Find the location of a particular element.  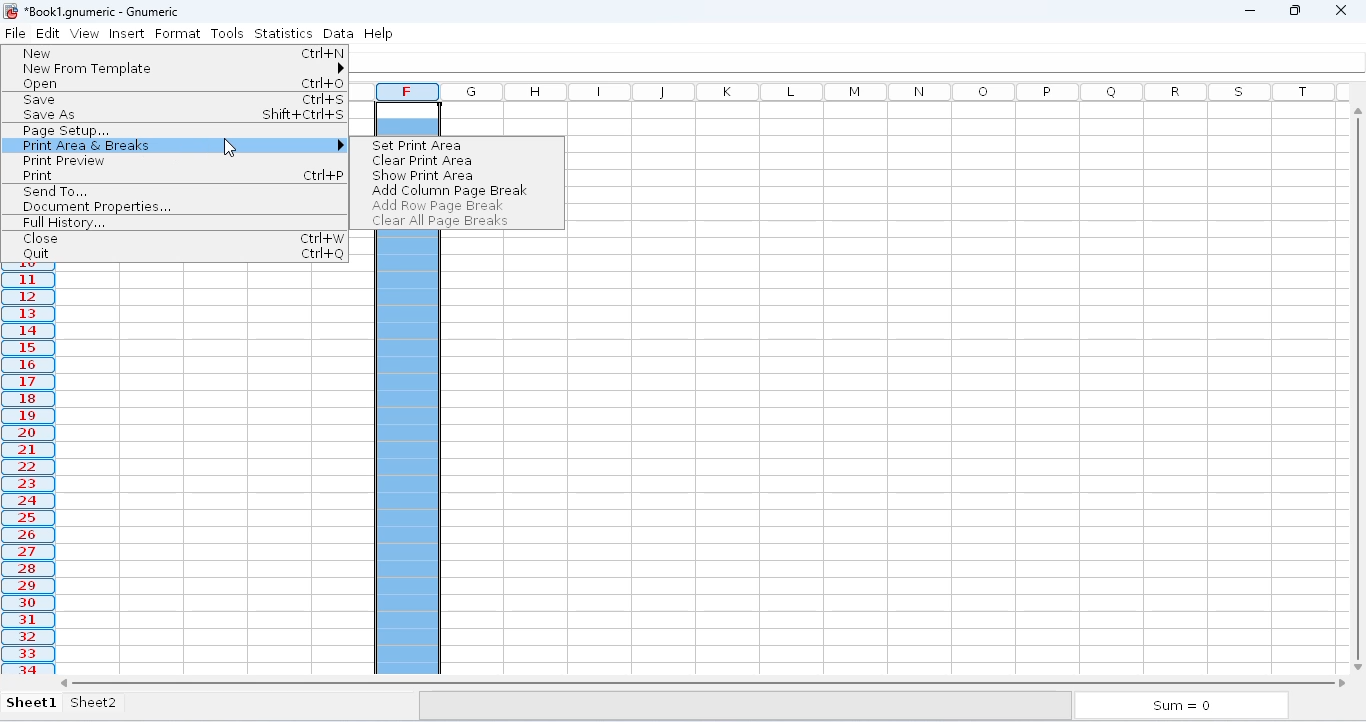

formula bar is located at coordinates (863, 62).